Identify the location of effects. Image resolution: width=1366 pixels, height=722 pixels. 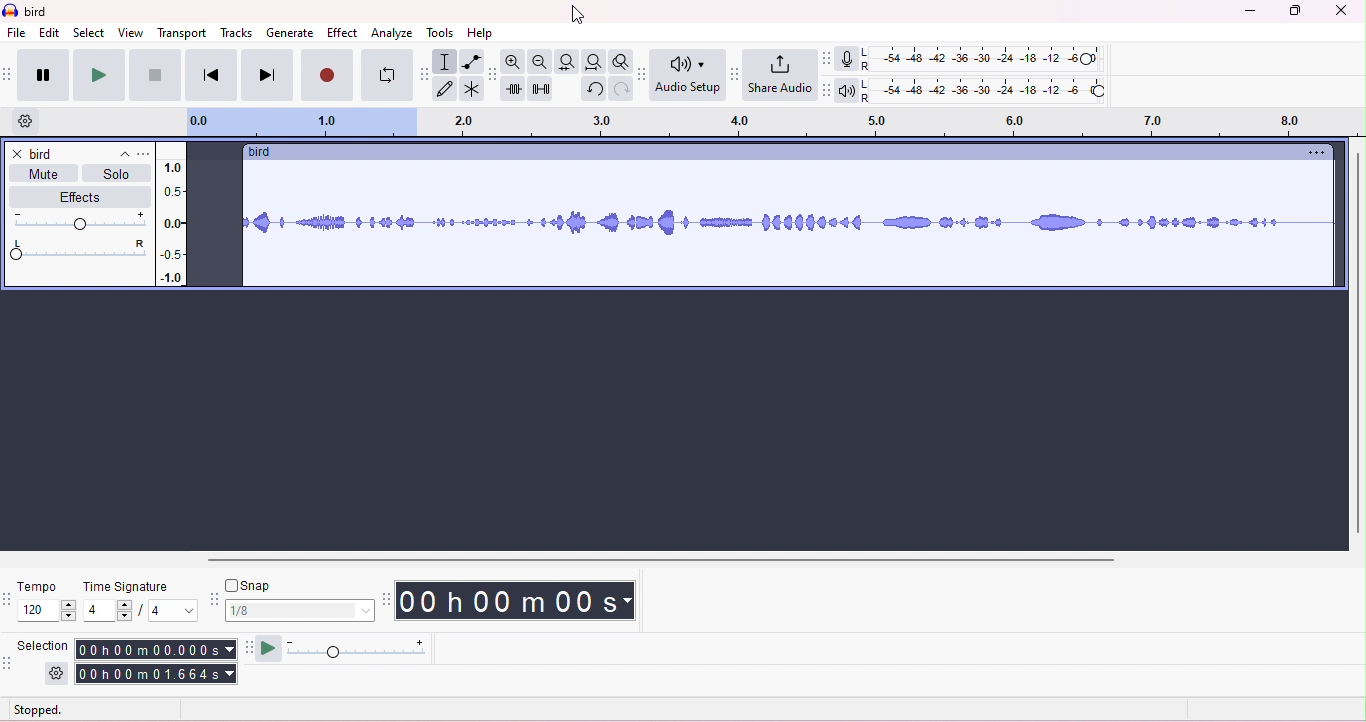
(73, 197).